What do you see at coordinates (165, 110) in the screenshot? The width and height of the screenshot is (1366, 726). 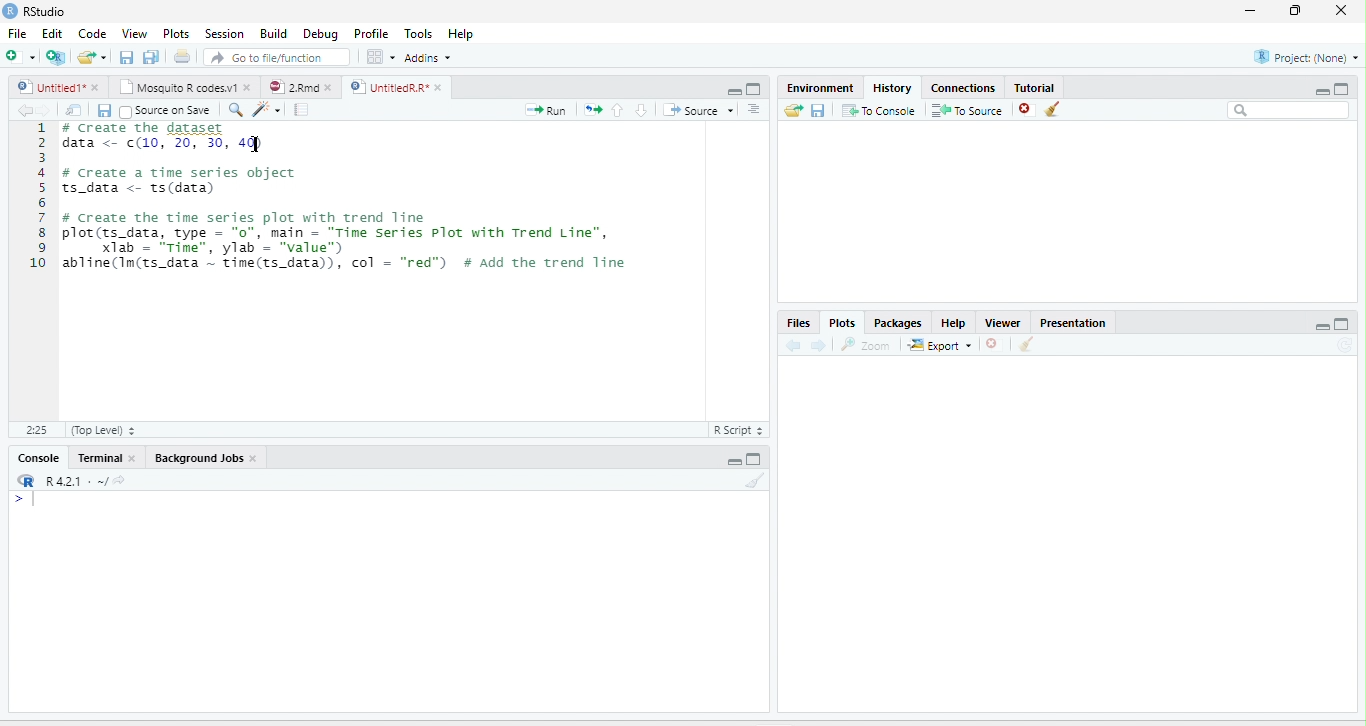 I see `Source on Save` at bounding box center [165, 110].